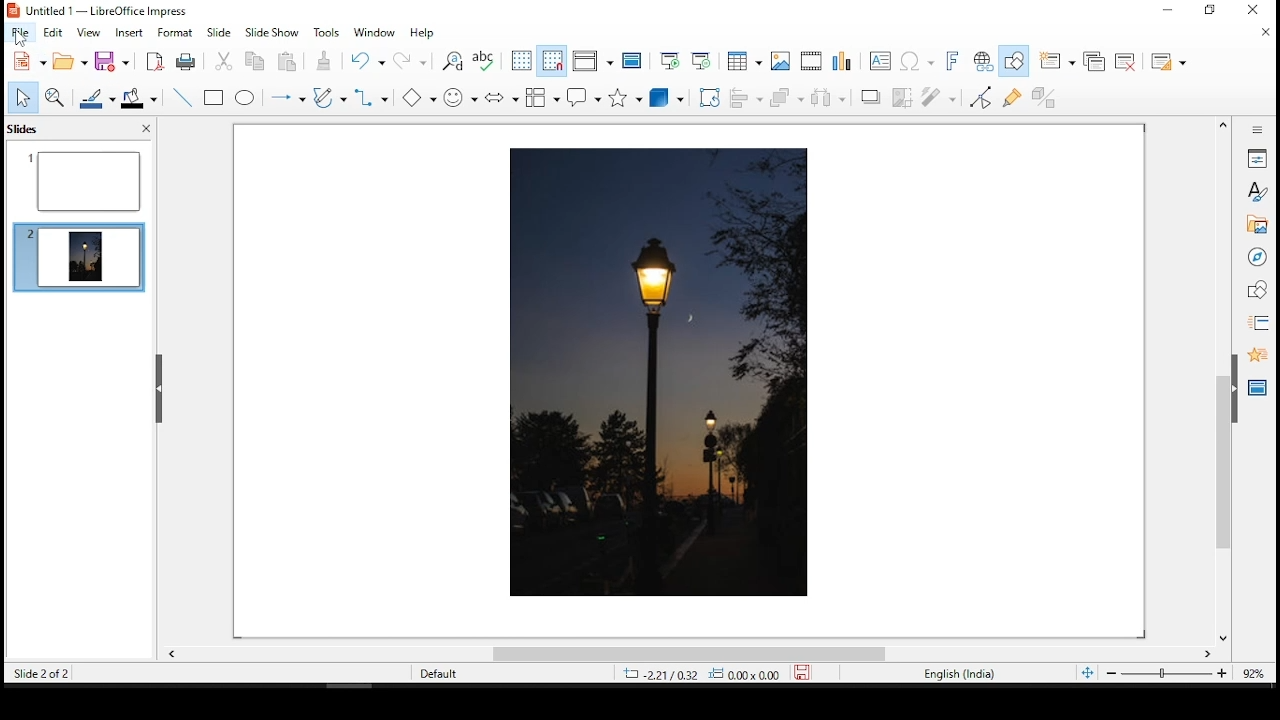 Image resolution: width=1280 pixels, height=720 pixels. Describe the element at coordinates (85, 180) in the screenshot. I see `slide 1` at that location.